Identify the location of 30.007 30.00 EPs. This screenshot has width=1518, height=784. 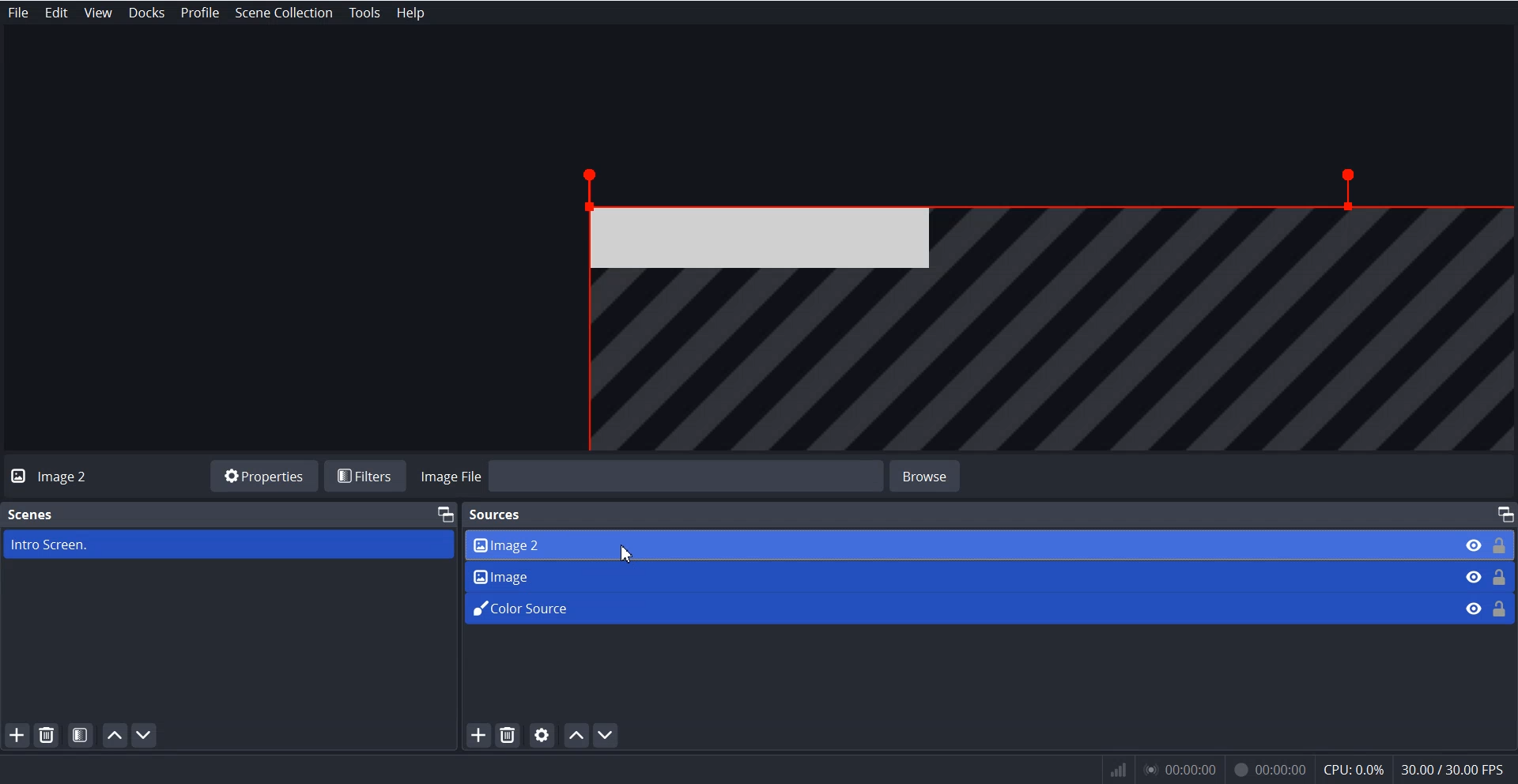
(1458, 768).